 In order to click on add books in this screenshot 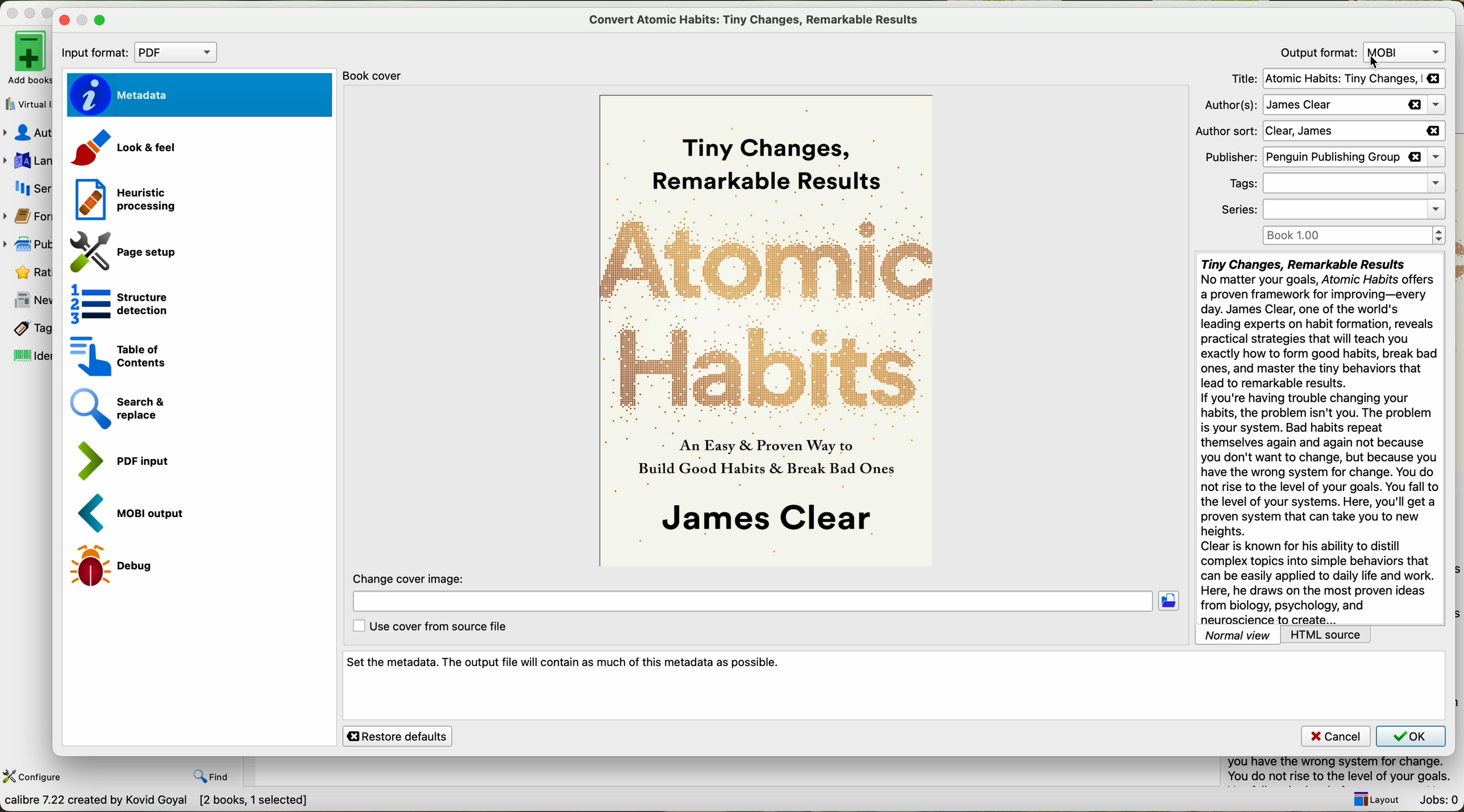, I will do `click(26, 60)`.